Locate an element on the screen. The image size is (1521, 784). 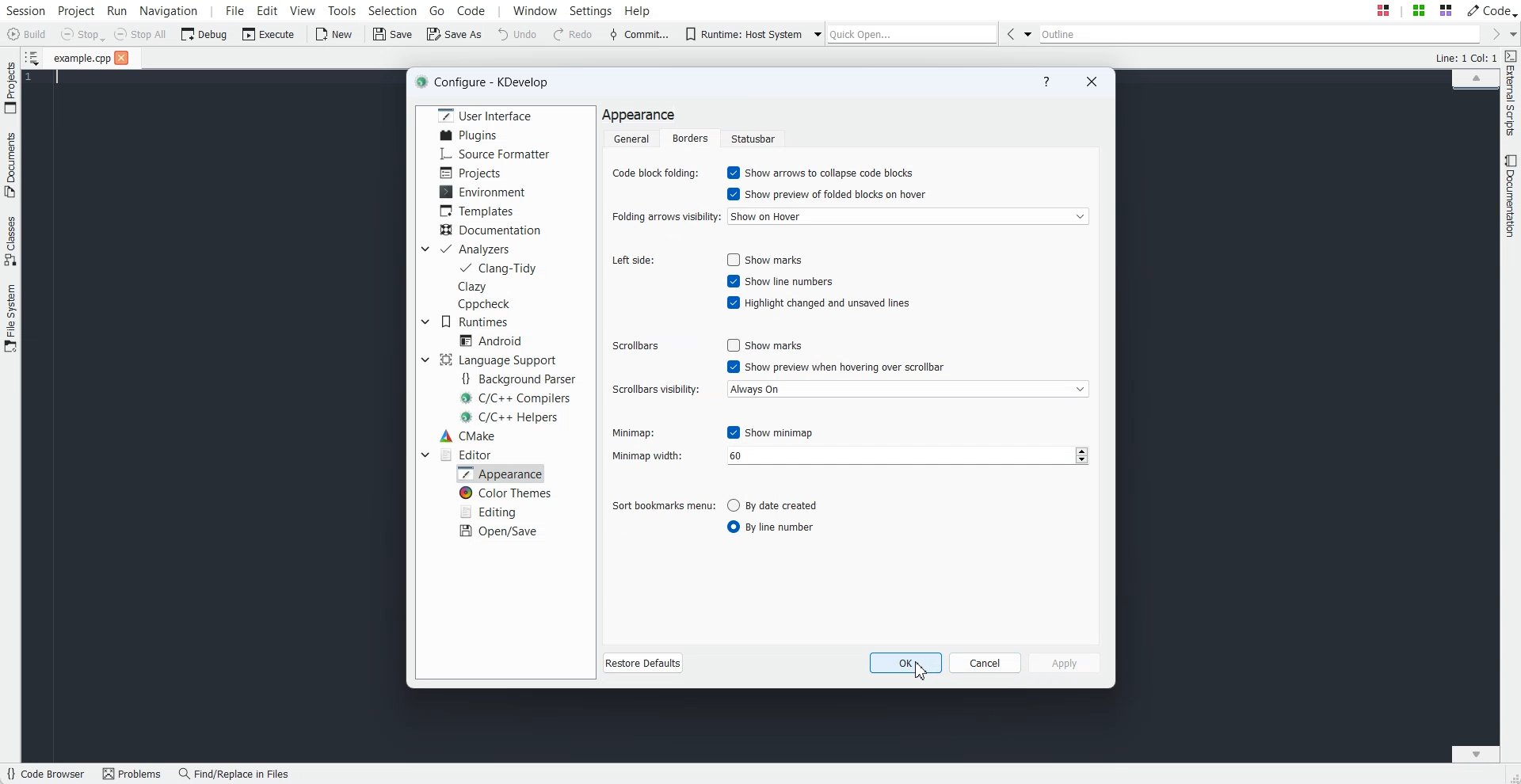
Android is located at coordinates (491, 341).